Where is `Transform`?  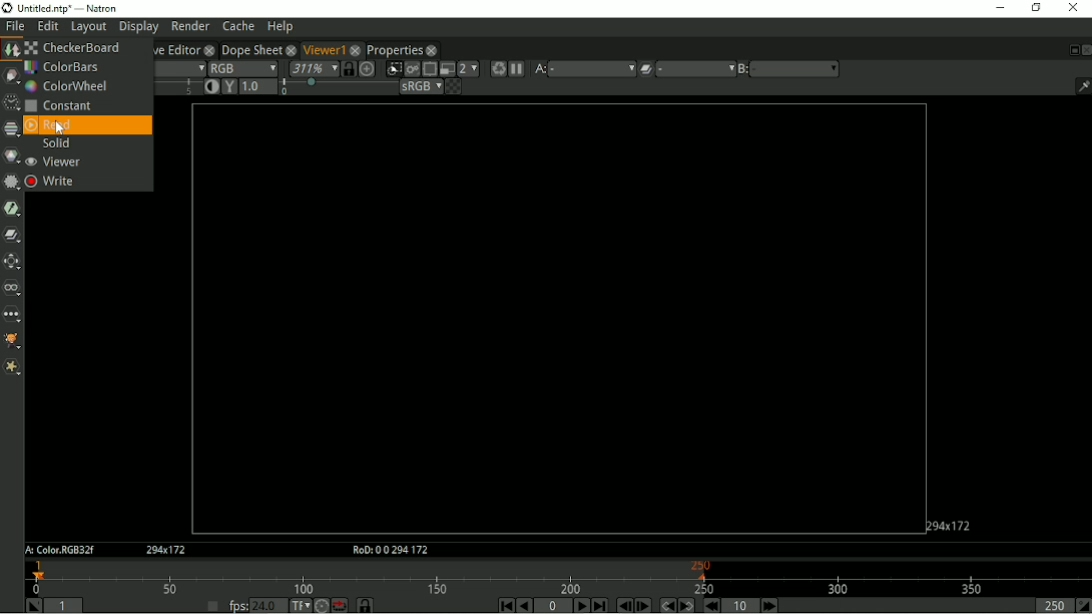
Transform is located at coordinates (12, 260).